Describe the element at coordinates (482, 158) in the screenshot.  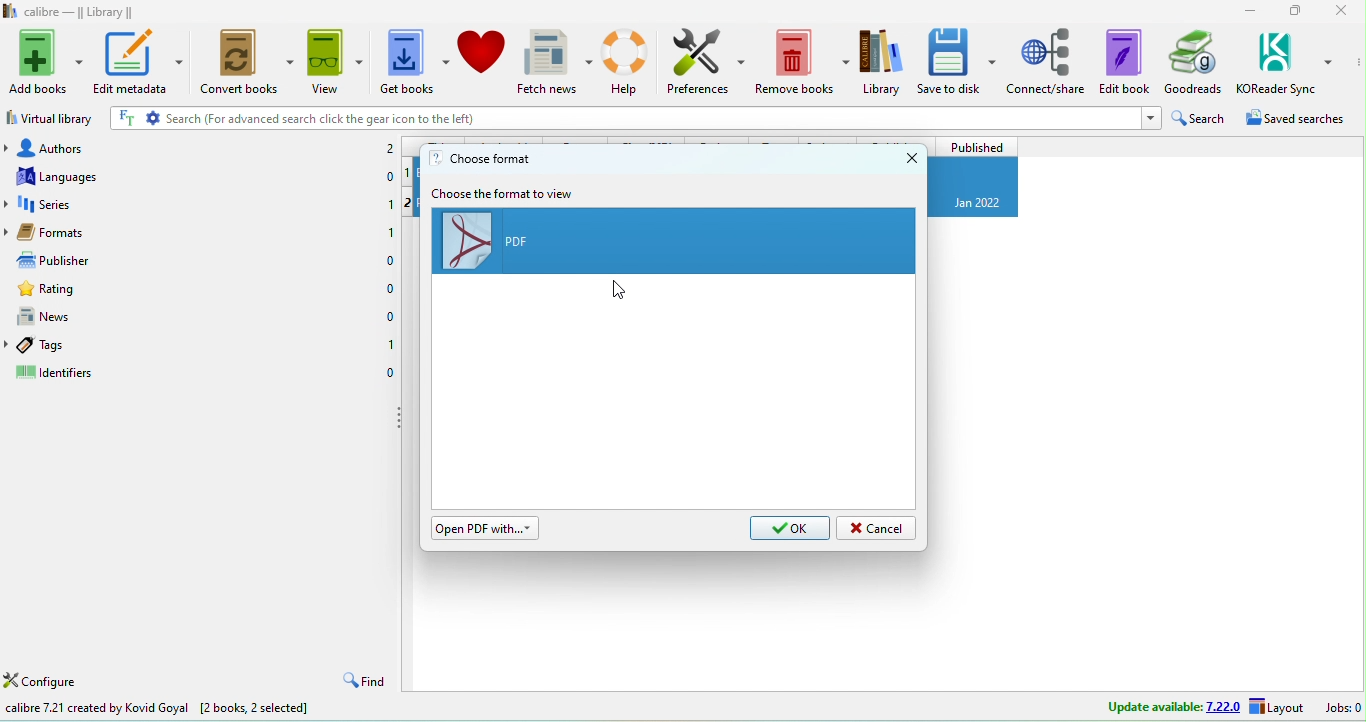
I see `Choose format` at that location.